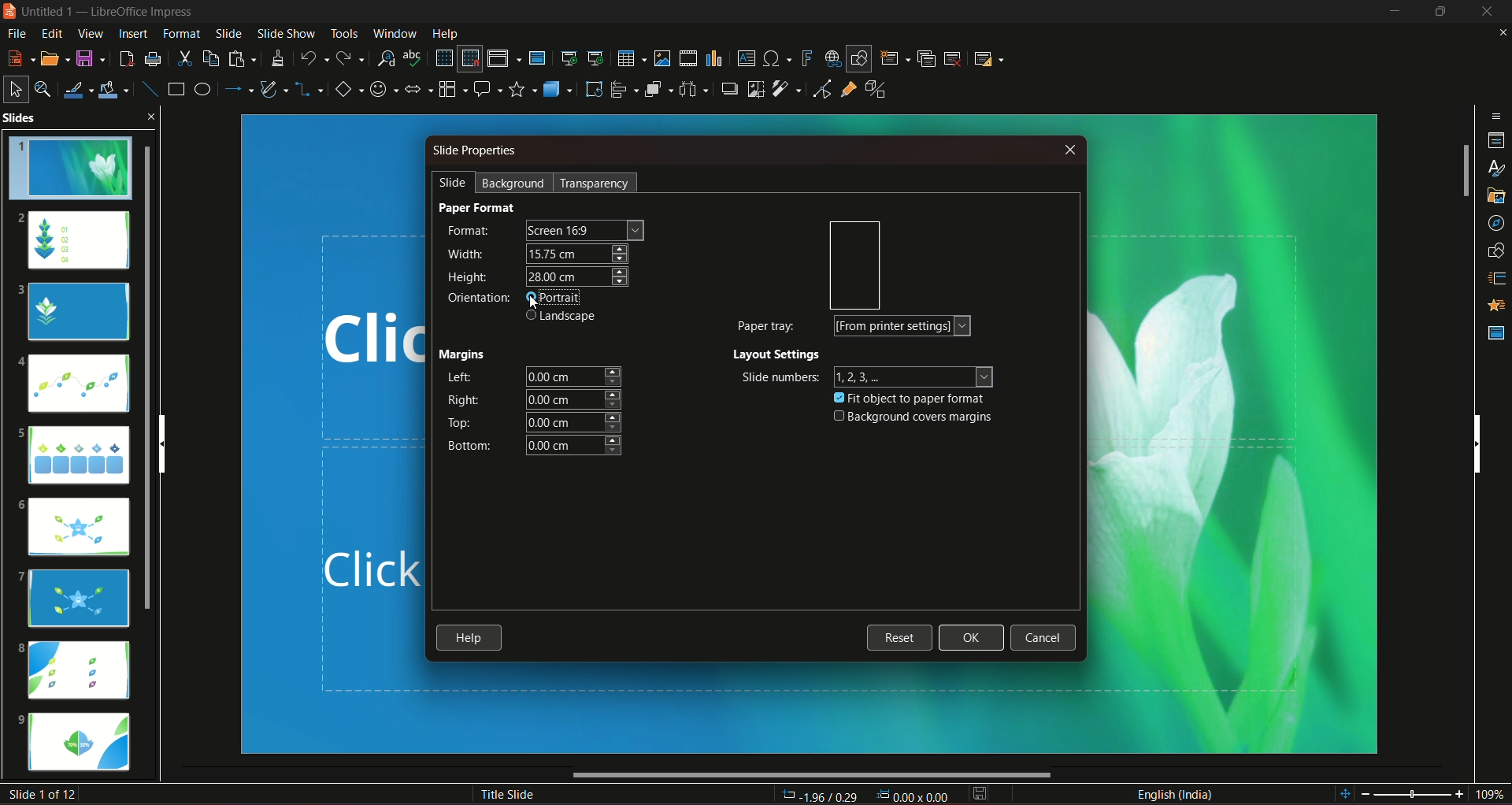 This screenshot has width=1512, height=805. I want to click on open, so click(54, 57).